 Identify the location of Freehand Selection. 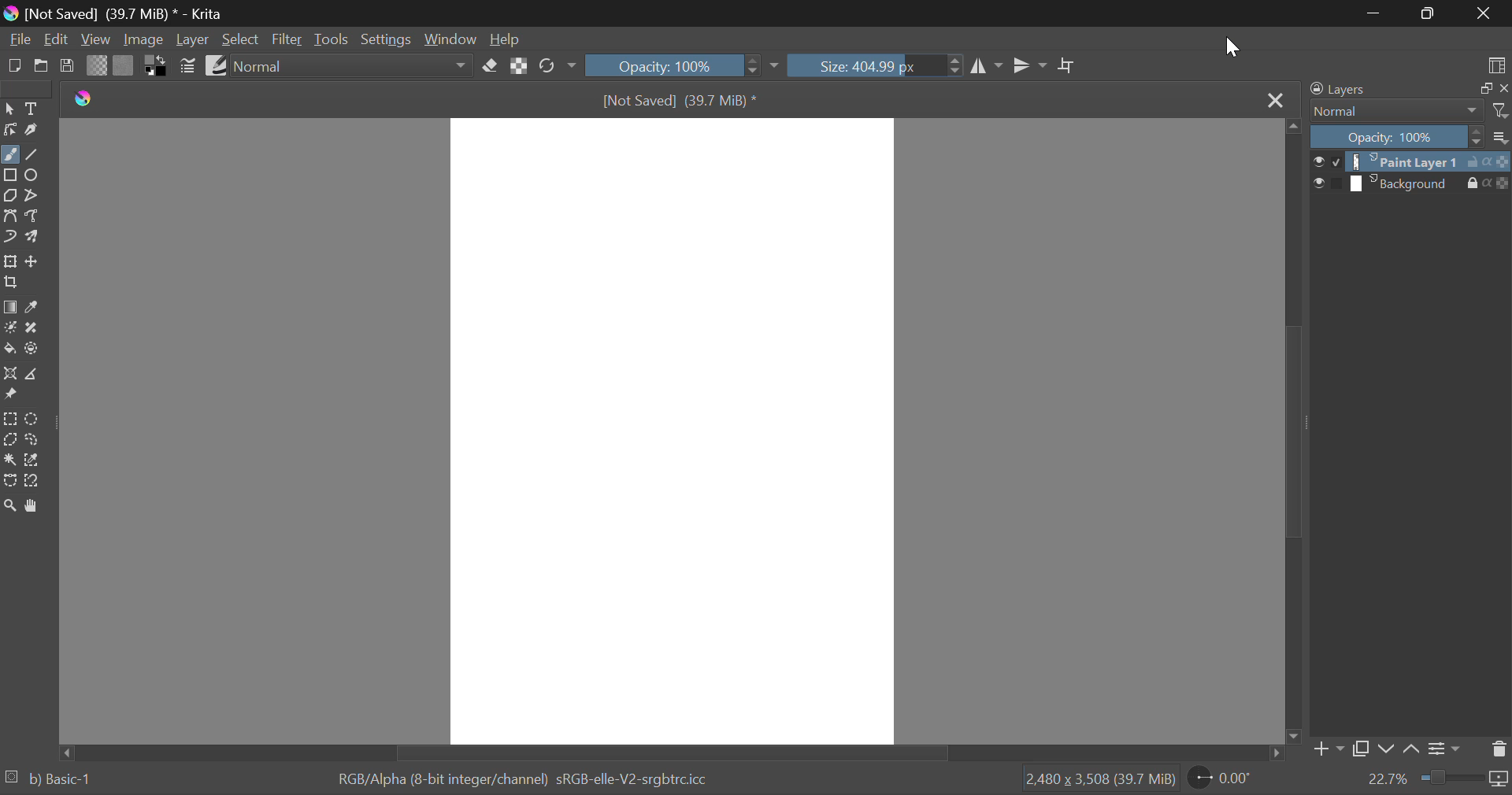
(31, 441).